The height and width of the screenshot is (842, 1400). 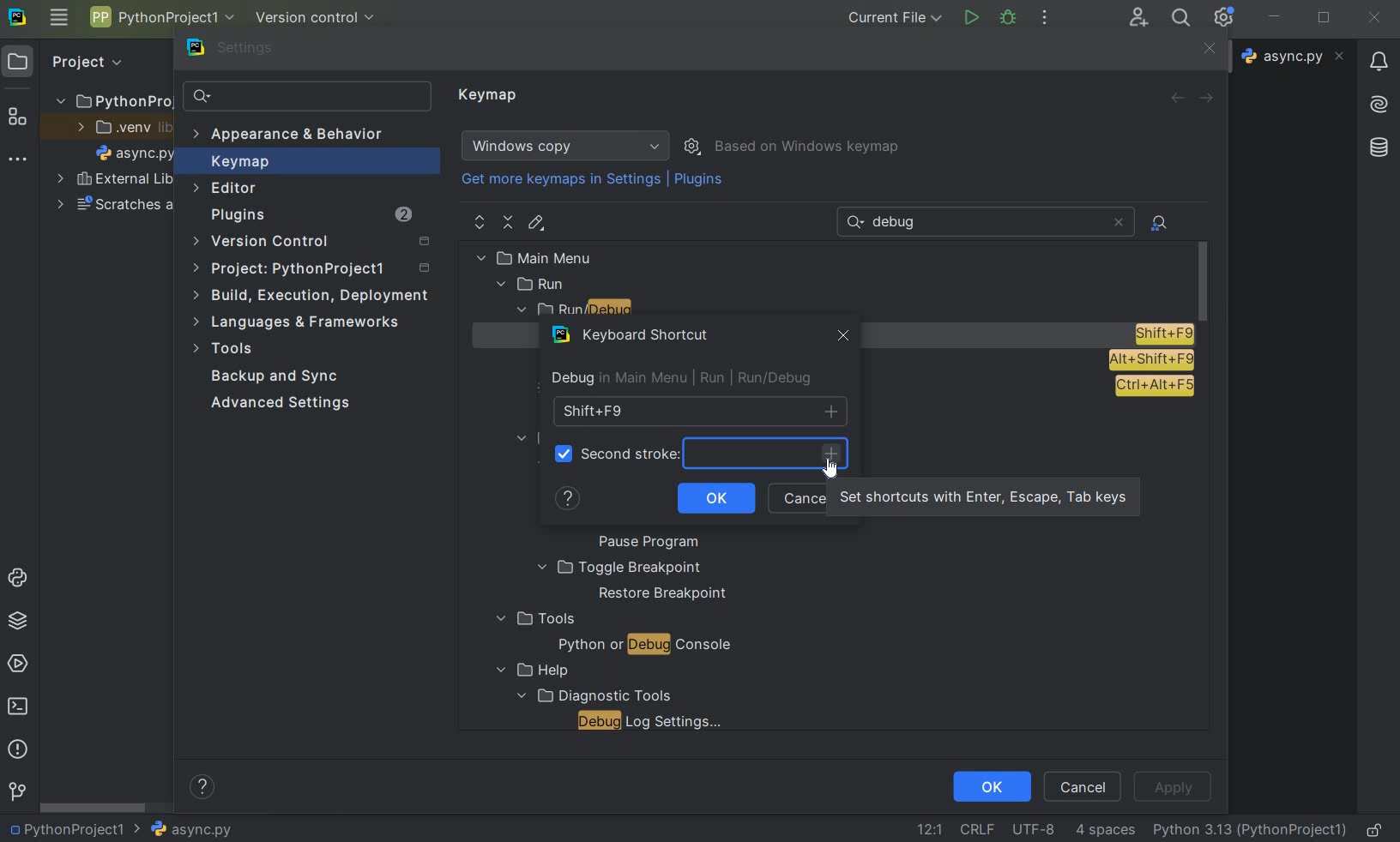 What do you see at coordinates (644, 647) in the screenshot?
I see `python or debug console` at bounding box center [644, 647].